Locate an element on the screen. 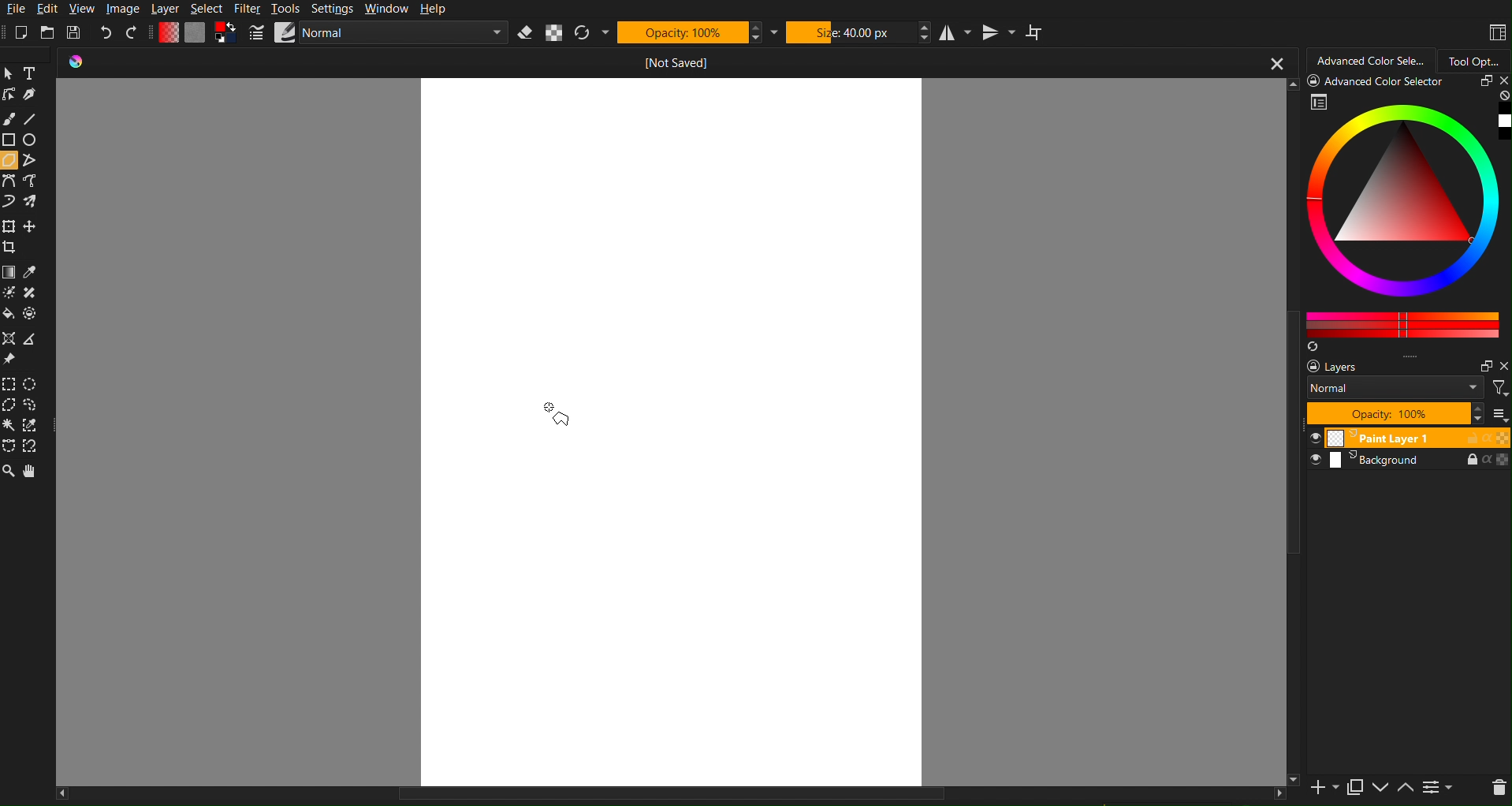  measure the distance between two points is located at coordinates (35, 341).